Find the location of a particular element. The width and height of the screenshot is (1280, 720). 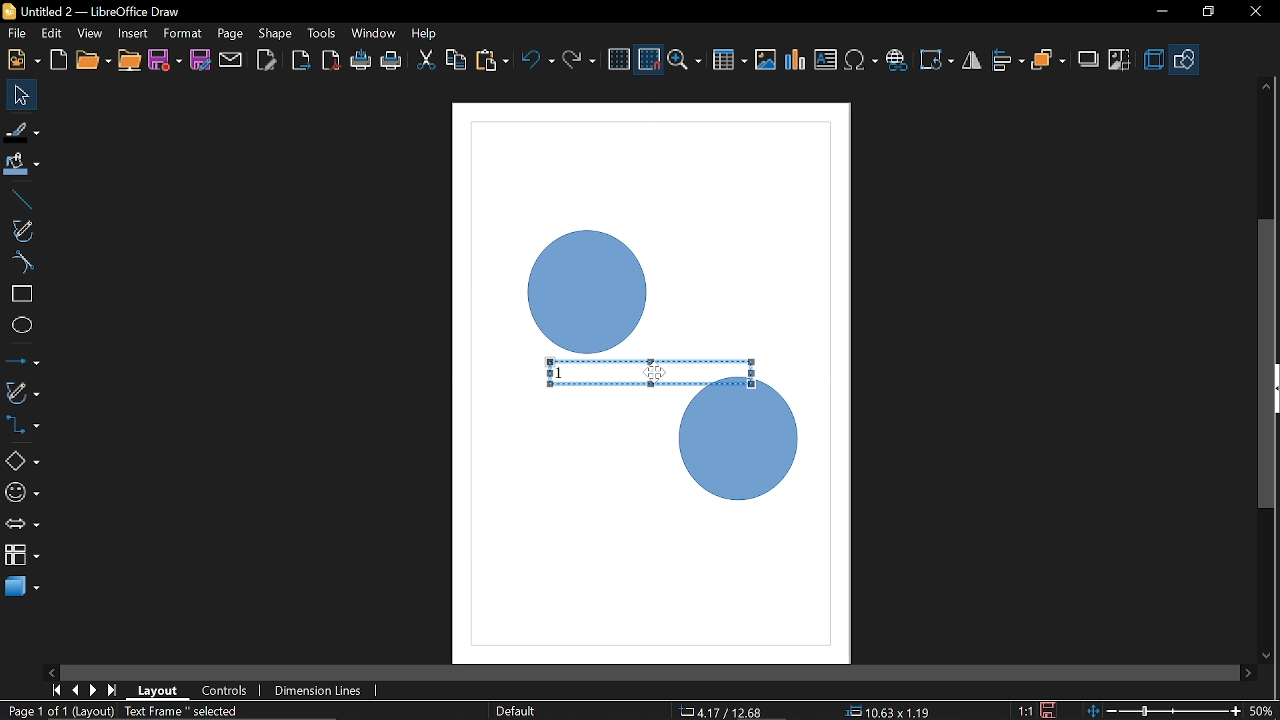

Rotate is located at coordinates (938, 60).